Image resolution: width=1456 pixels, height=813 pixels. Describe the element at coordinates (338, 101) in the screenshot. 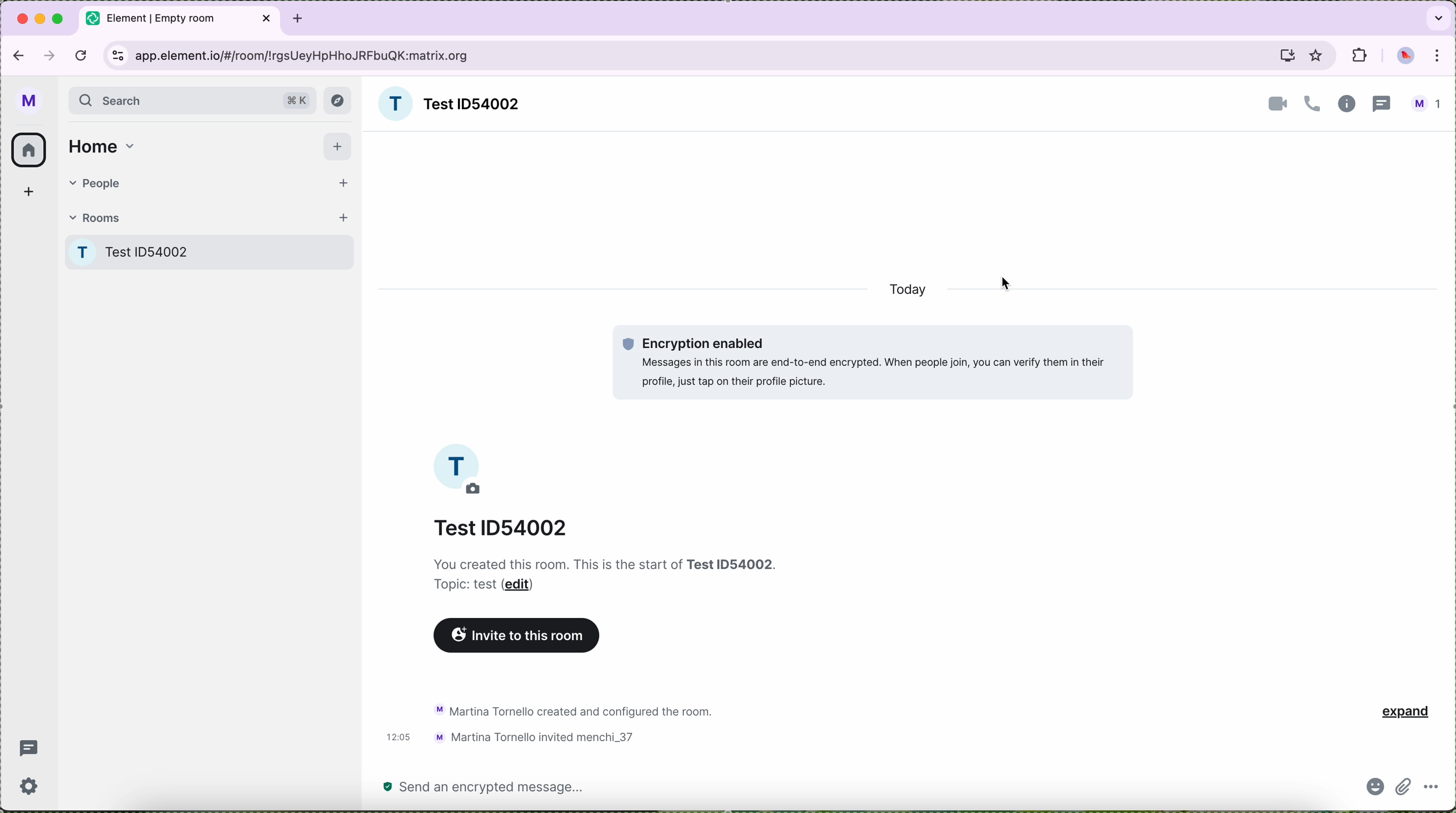

I see `explore button` at that location.